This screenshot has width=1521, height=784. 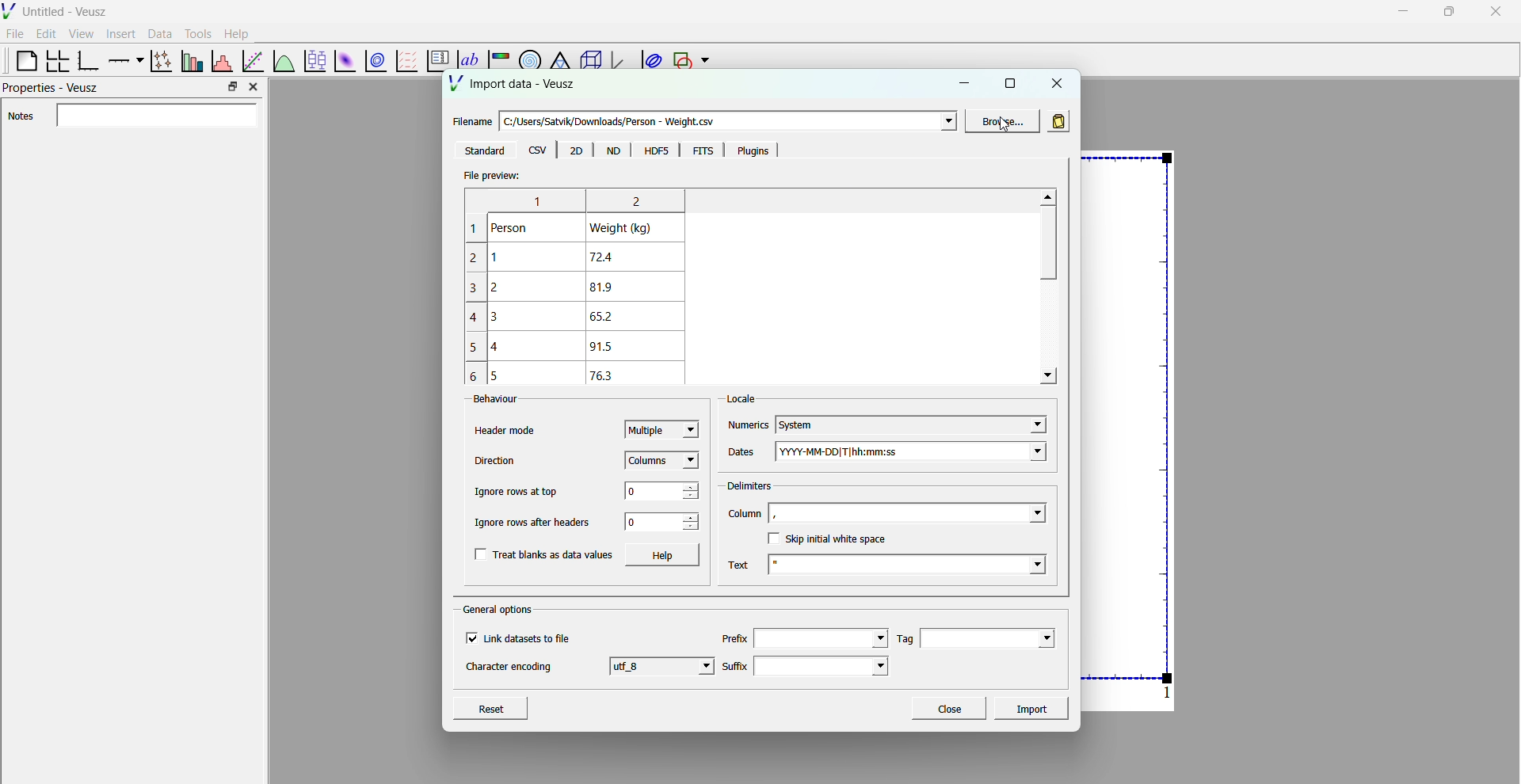 I want to click on image color graph, so click(x=498, y=54).